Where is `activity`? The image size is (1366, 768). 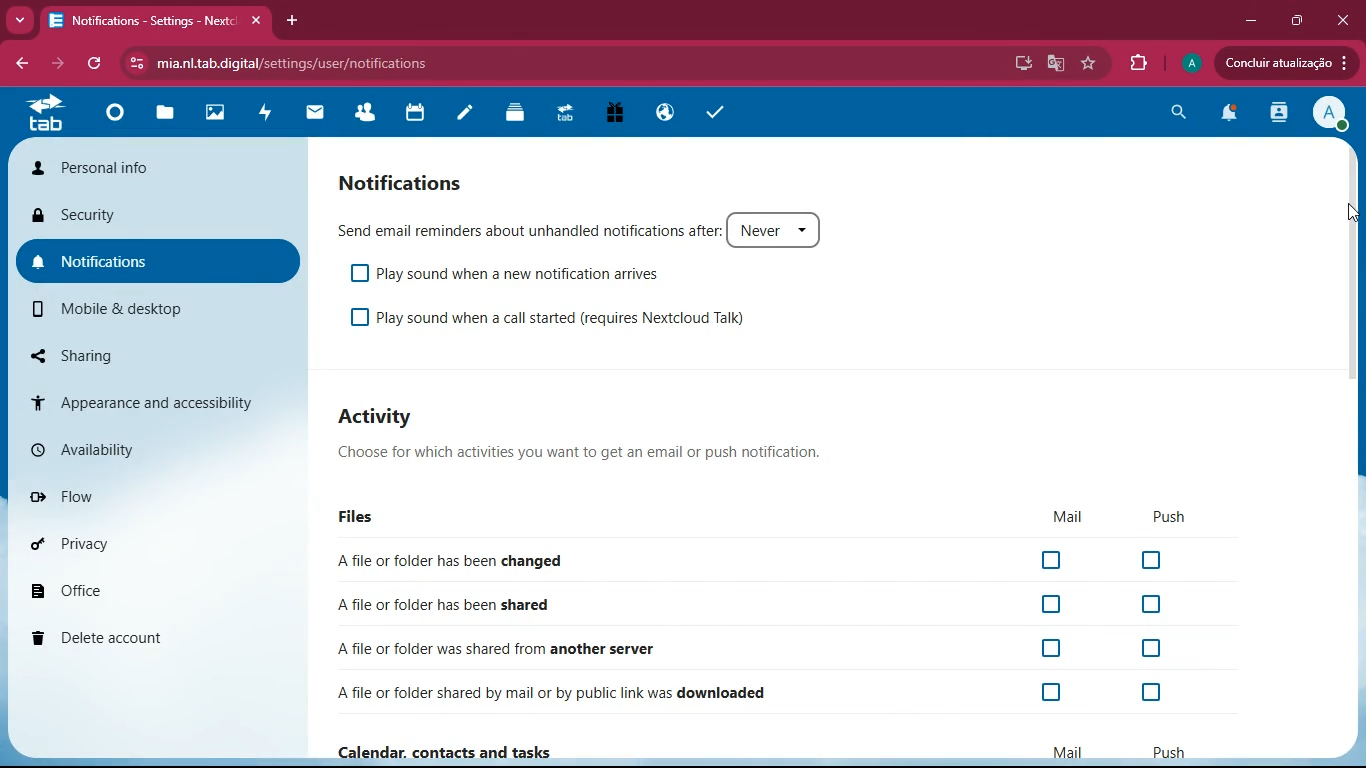
activity is located at coordinates (1281, 115).